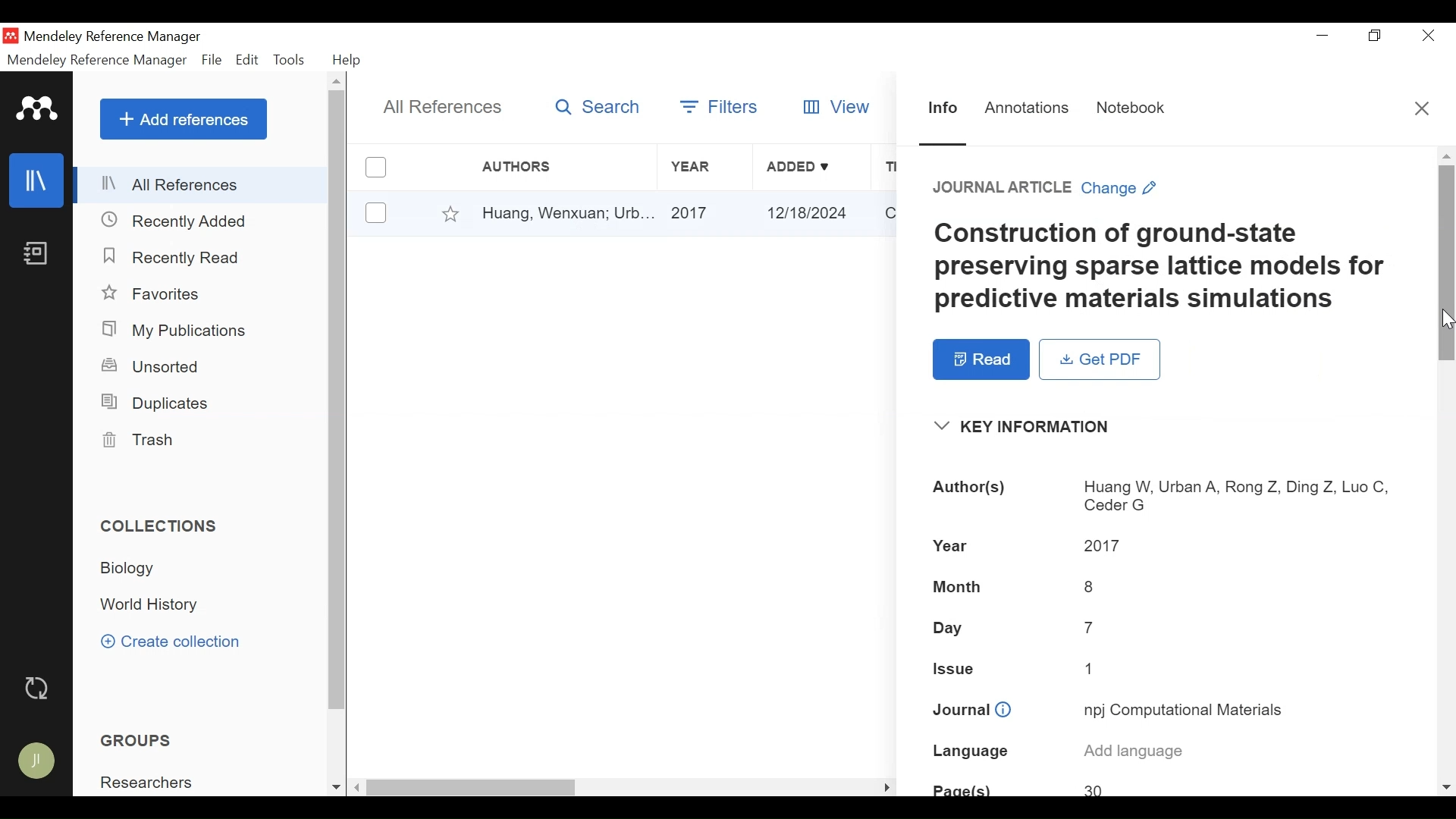  I want to click on Notebook, so click(1130, 108).